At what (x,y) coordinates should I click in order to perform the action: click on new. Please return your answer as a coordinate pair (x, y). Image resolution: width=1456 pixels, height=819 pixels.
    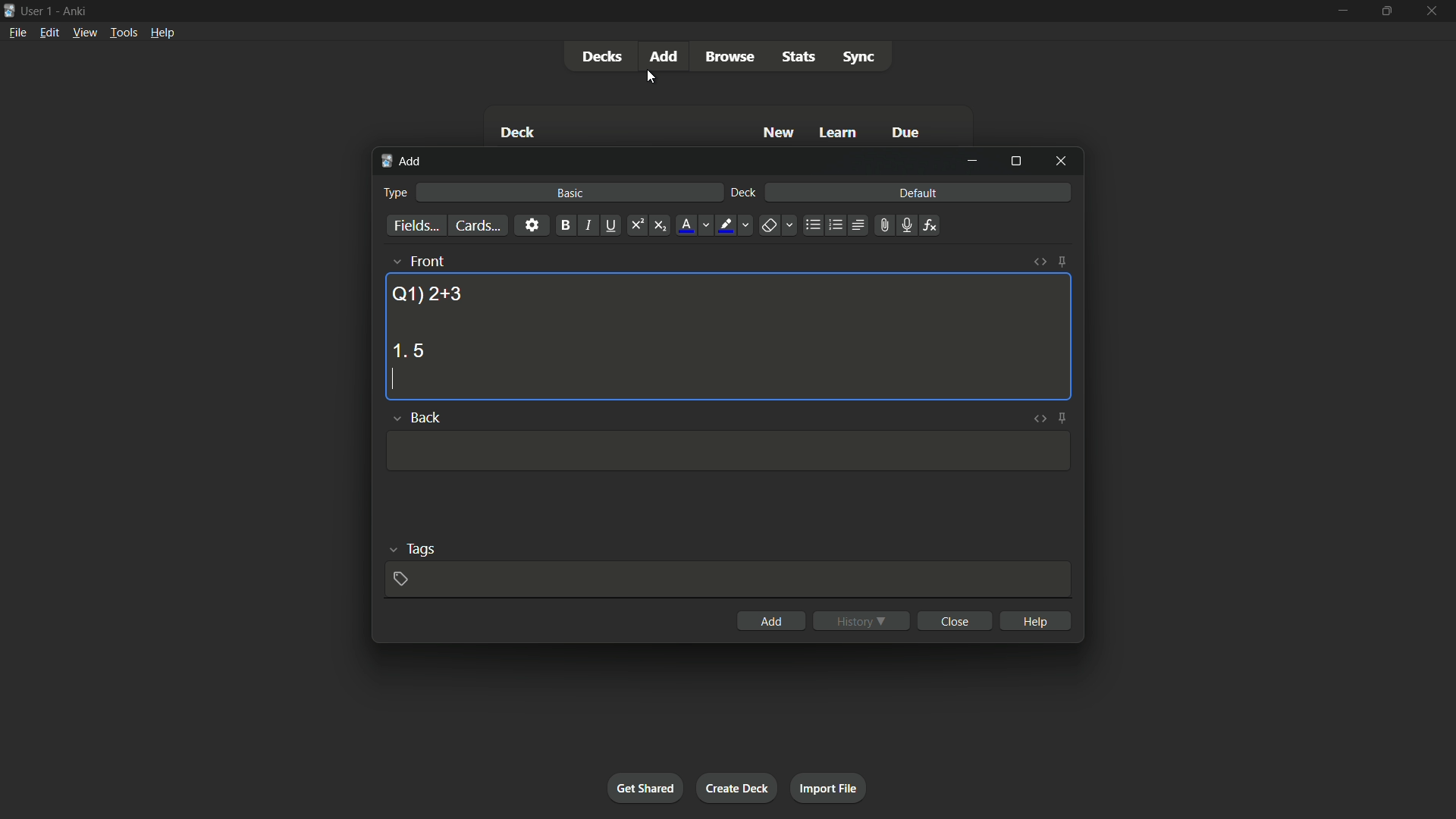
    Looking at the image, I should click on (780, 132).